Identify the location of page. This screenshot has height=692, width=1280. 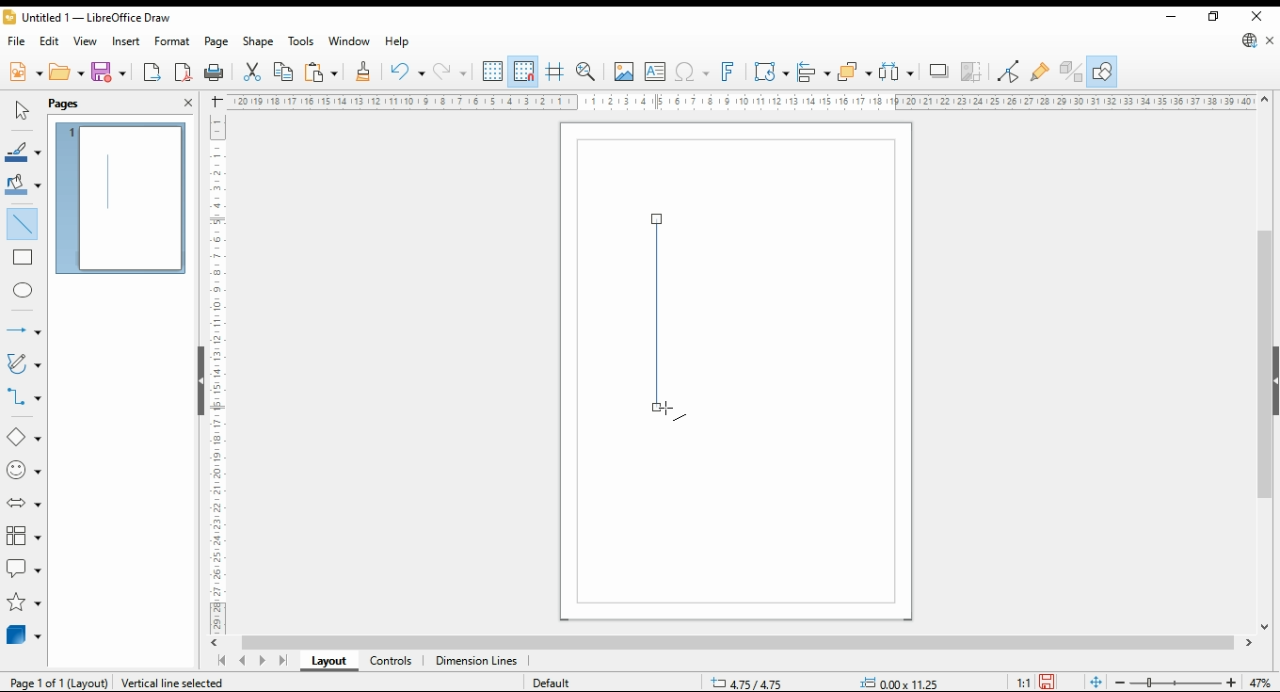
(218, 42).